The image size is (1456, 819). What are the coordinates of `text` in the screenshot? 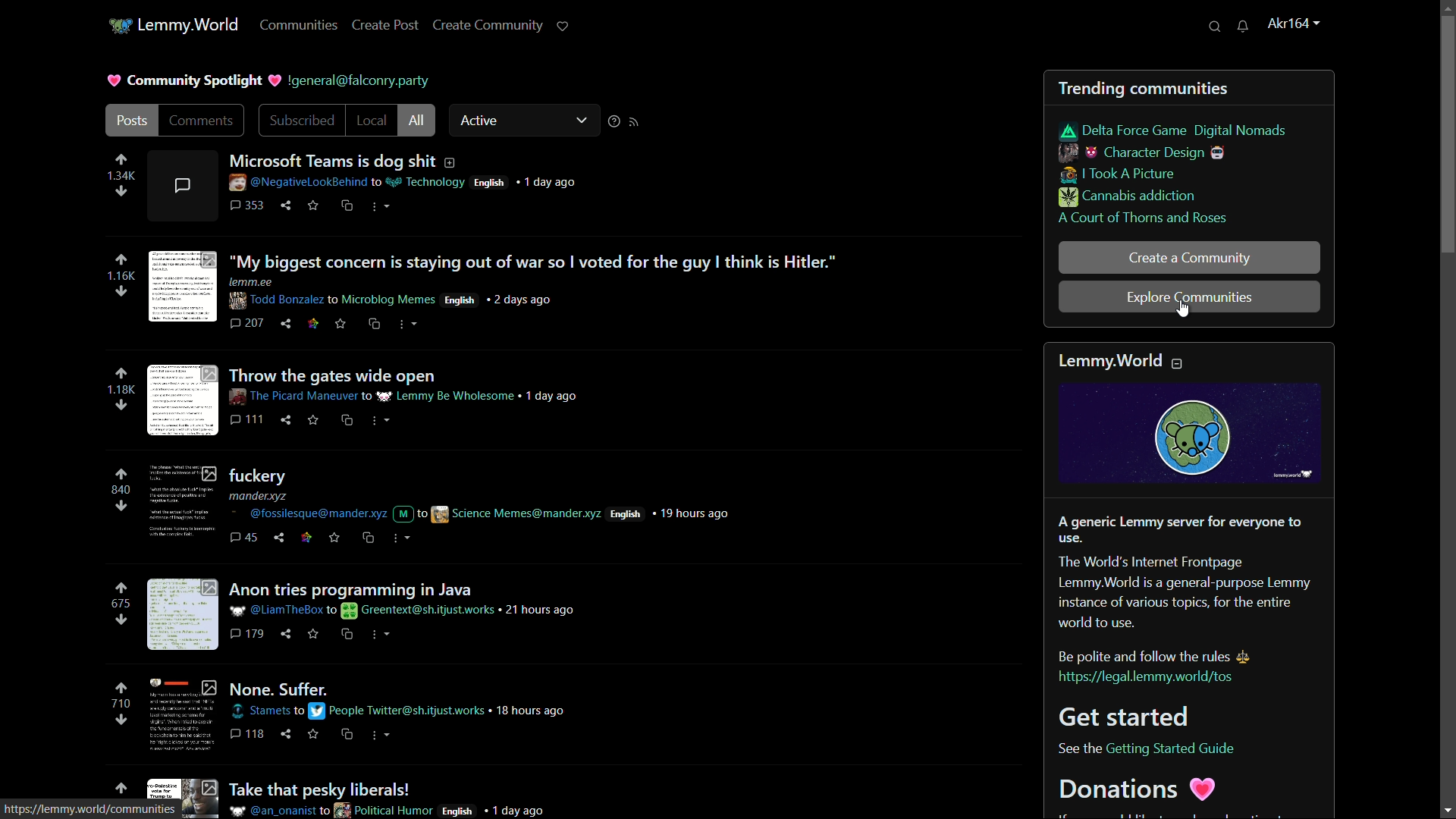 It's located at (1178, 791).